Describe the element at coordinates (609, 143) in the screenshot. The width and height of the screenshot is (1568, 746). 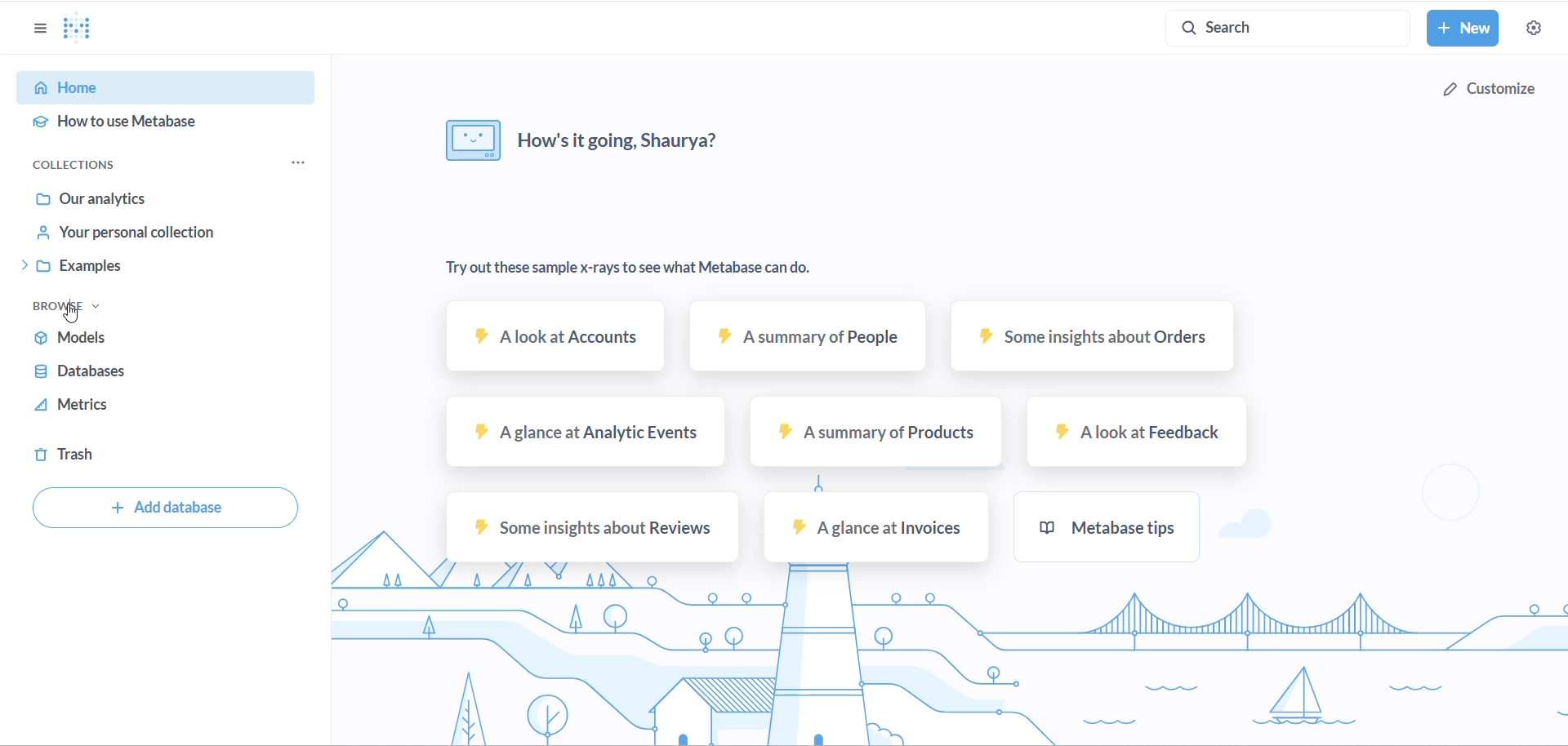
I see `how's it going, Shaurya?` at that location.